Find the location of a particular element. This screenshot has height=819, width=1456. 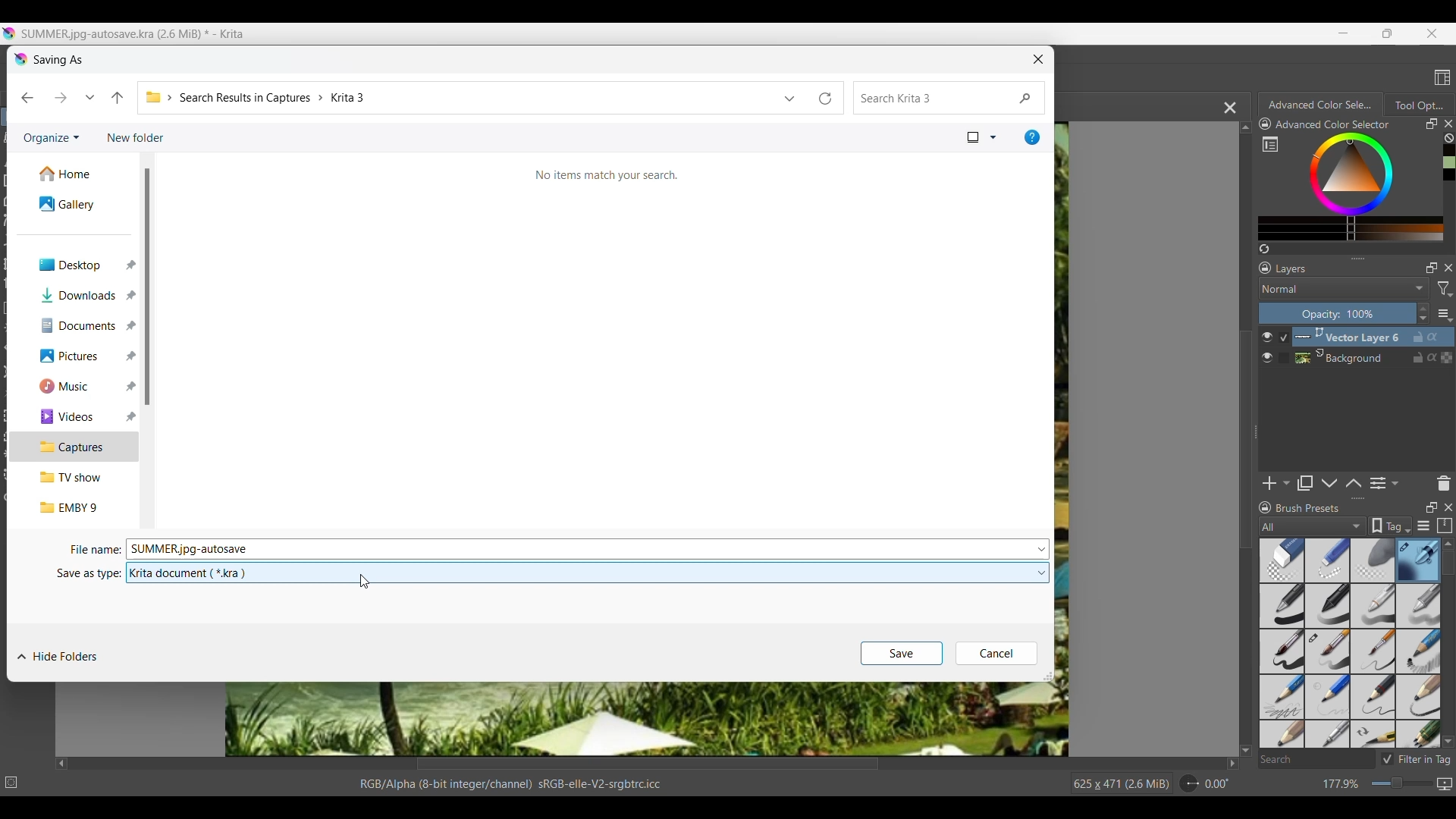

Close Layers is located at coordinates (1448, 268).